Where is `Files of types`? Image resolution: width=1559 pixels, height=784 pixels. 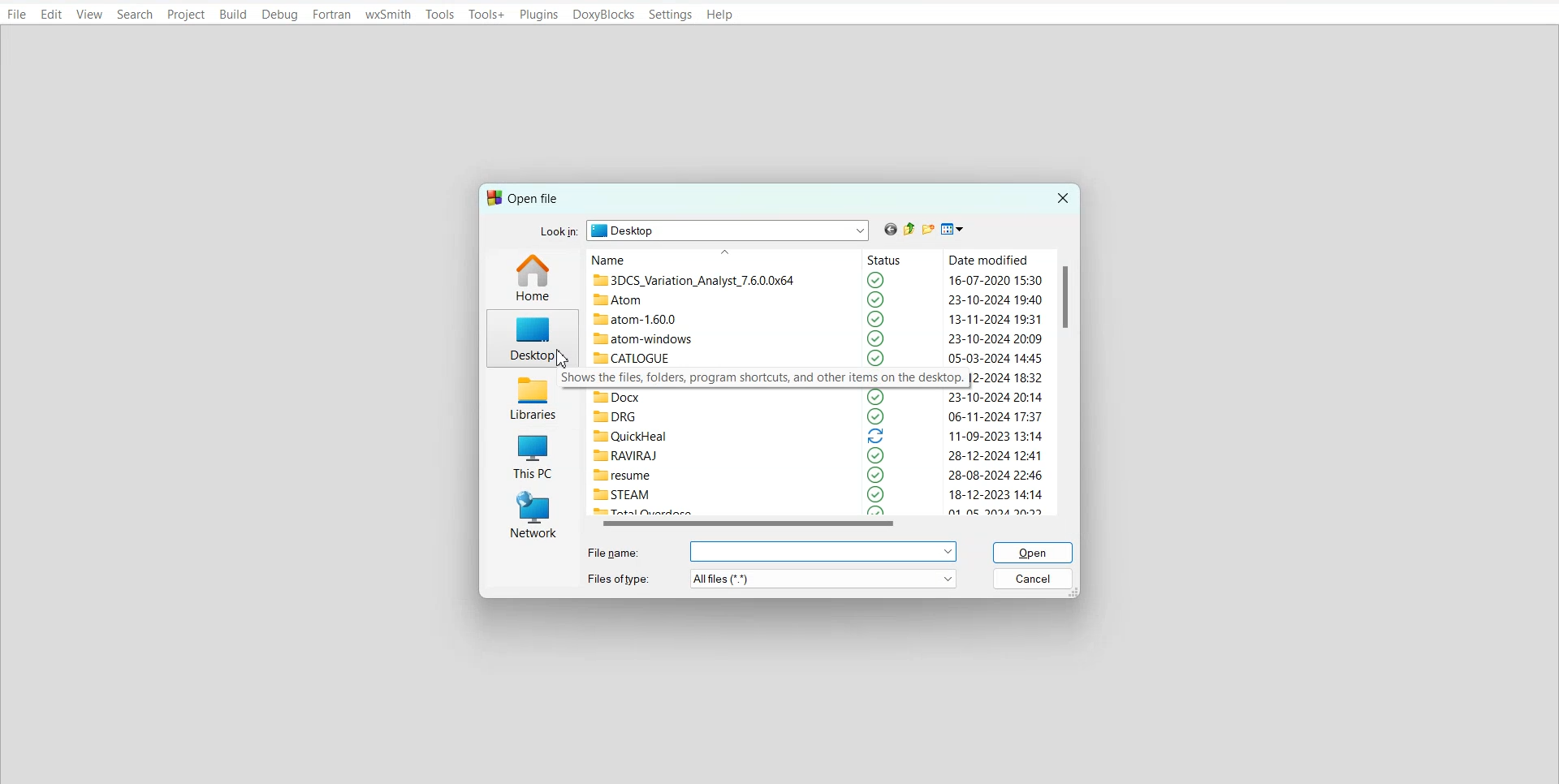 Files of types is located at coordinates (618, 579).